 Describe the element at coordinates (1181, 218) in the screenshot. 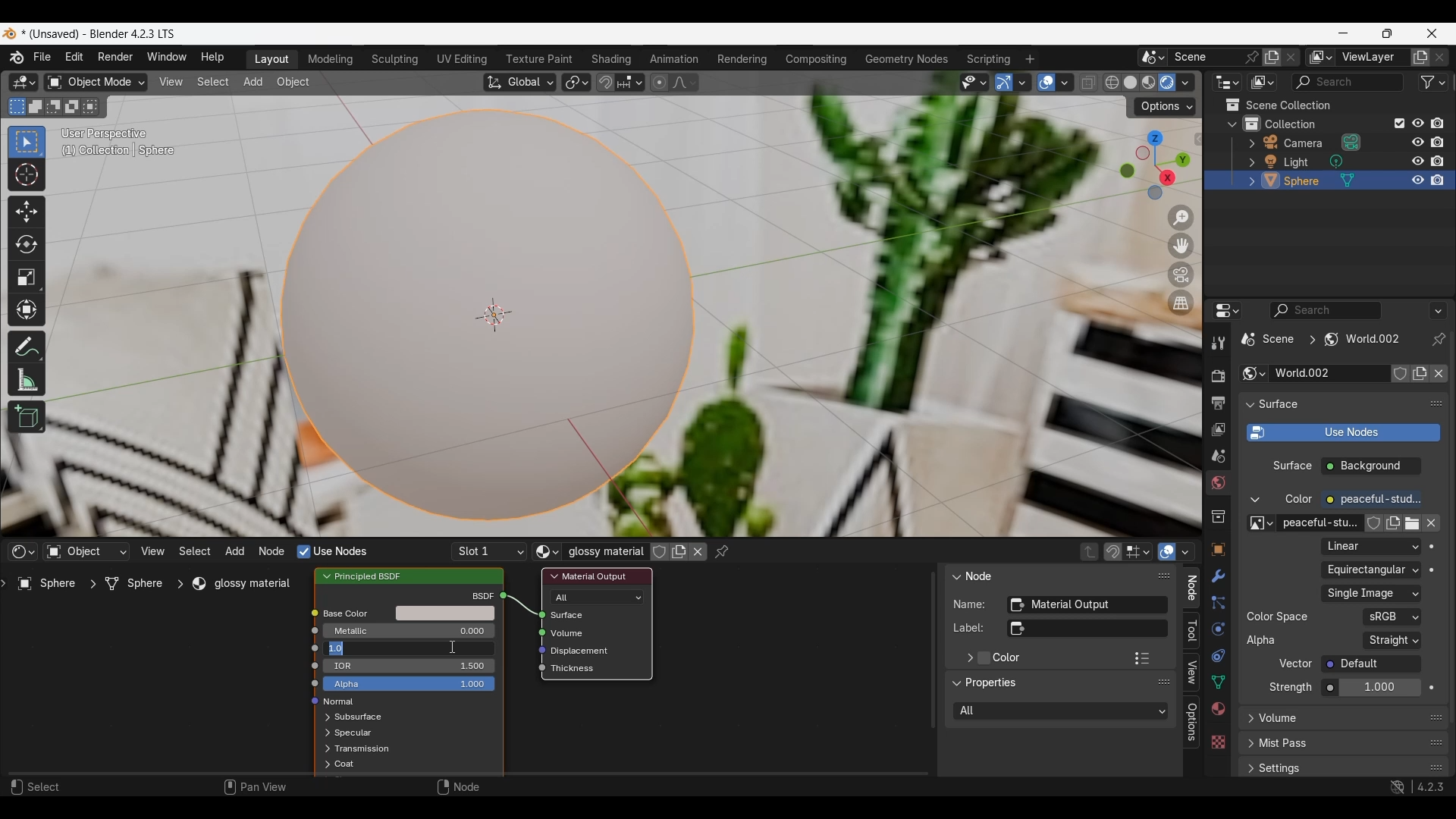

I see `Zoom in/out` at that location.